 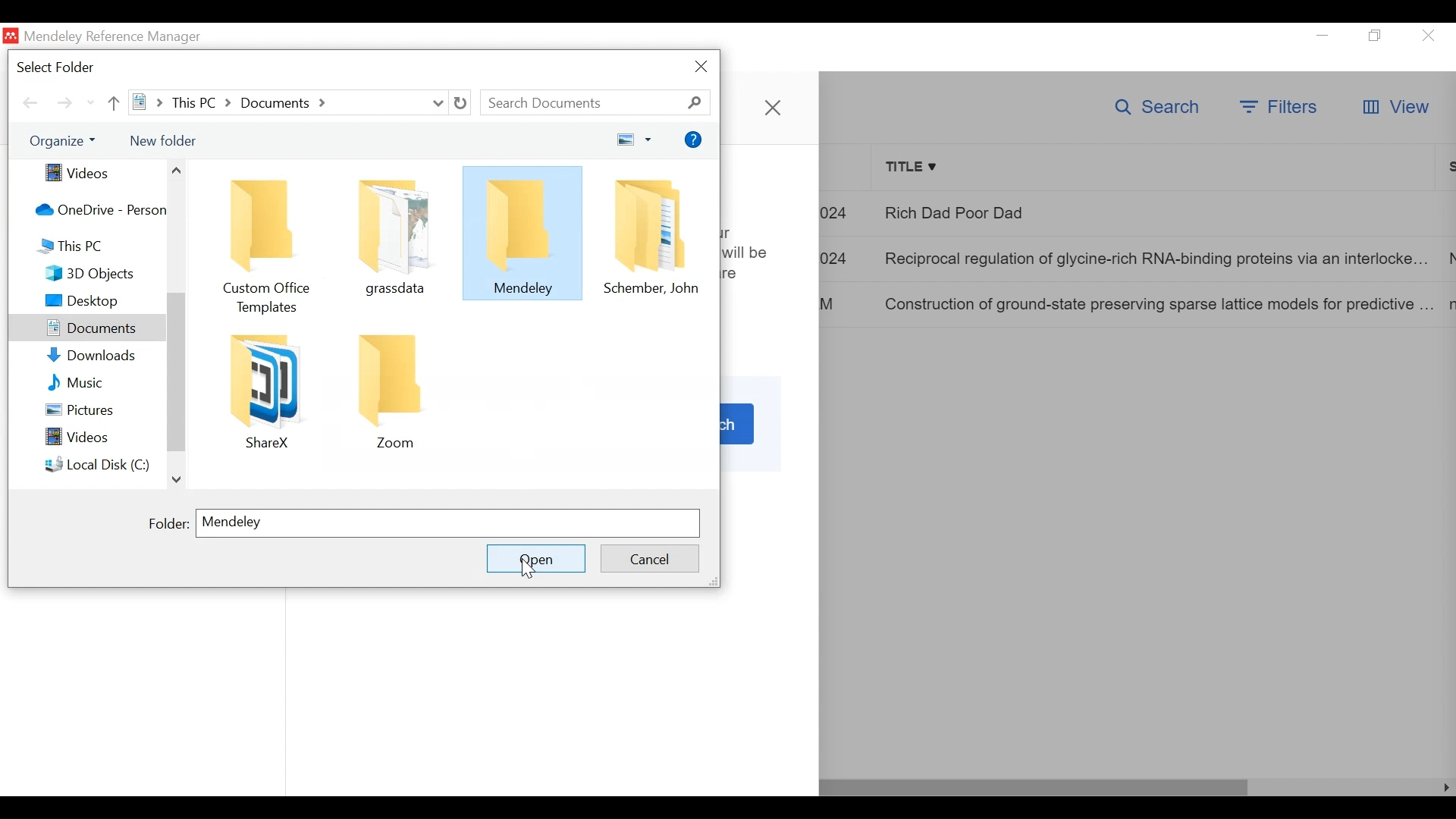 What do you see at coordinates (97, 303) in the screenshot?
I see `Desktop` at bounding box center [97, 303].